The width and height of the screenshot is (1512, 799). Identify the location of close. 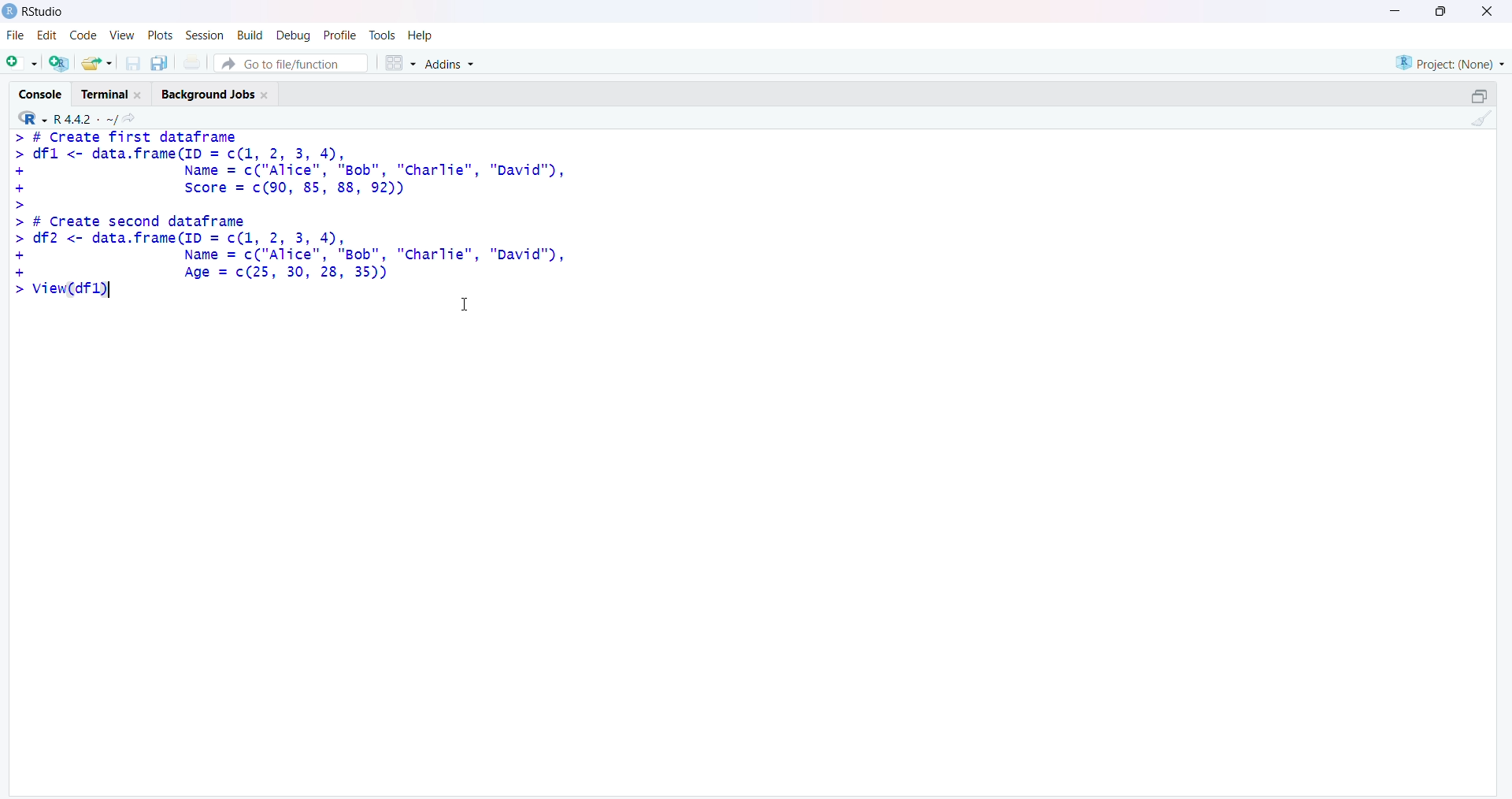
(139, 95).